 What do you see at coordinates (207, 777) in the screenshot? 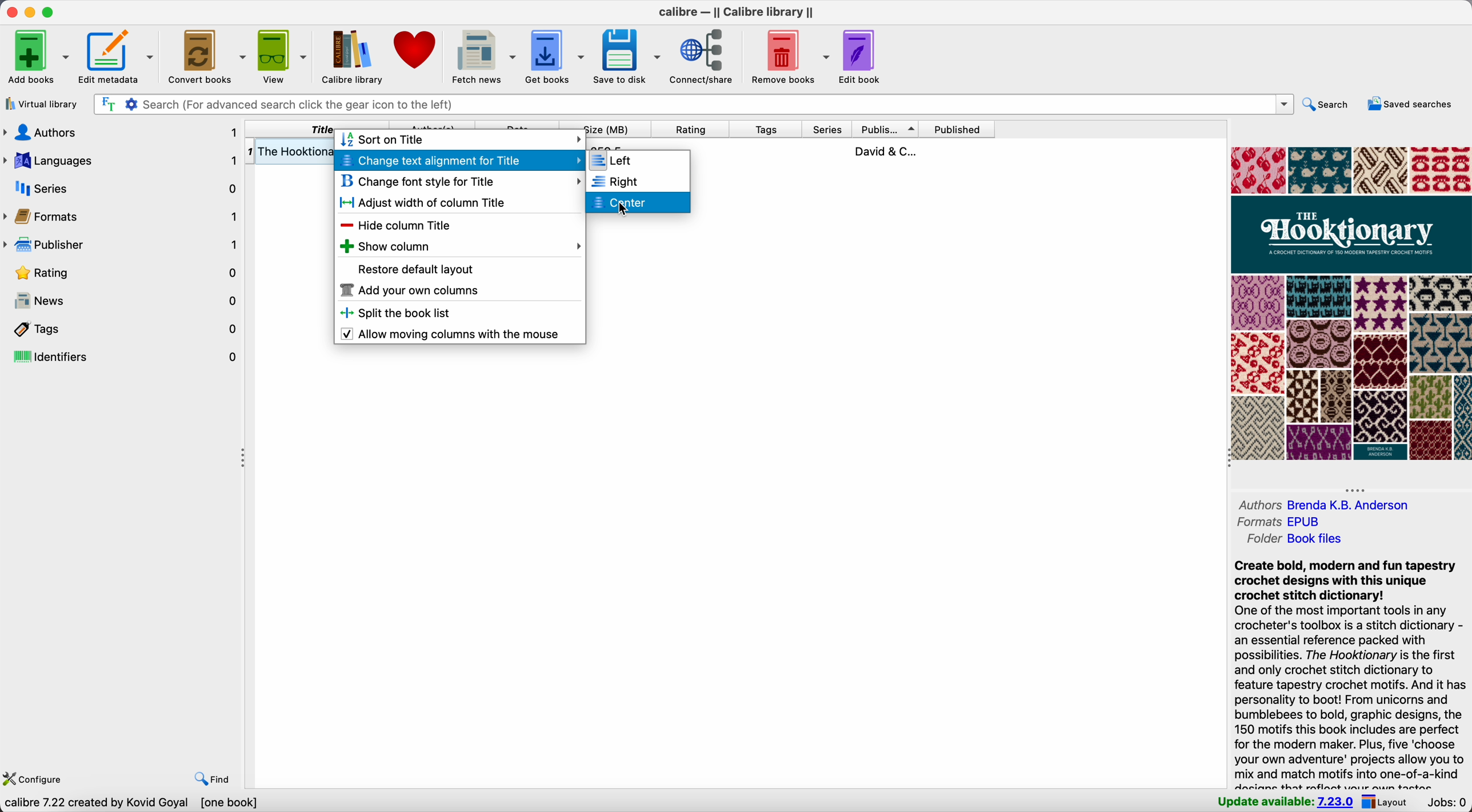
I see `find` at bounding box center [207, 777].